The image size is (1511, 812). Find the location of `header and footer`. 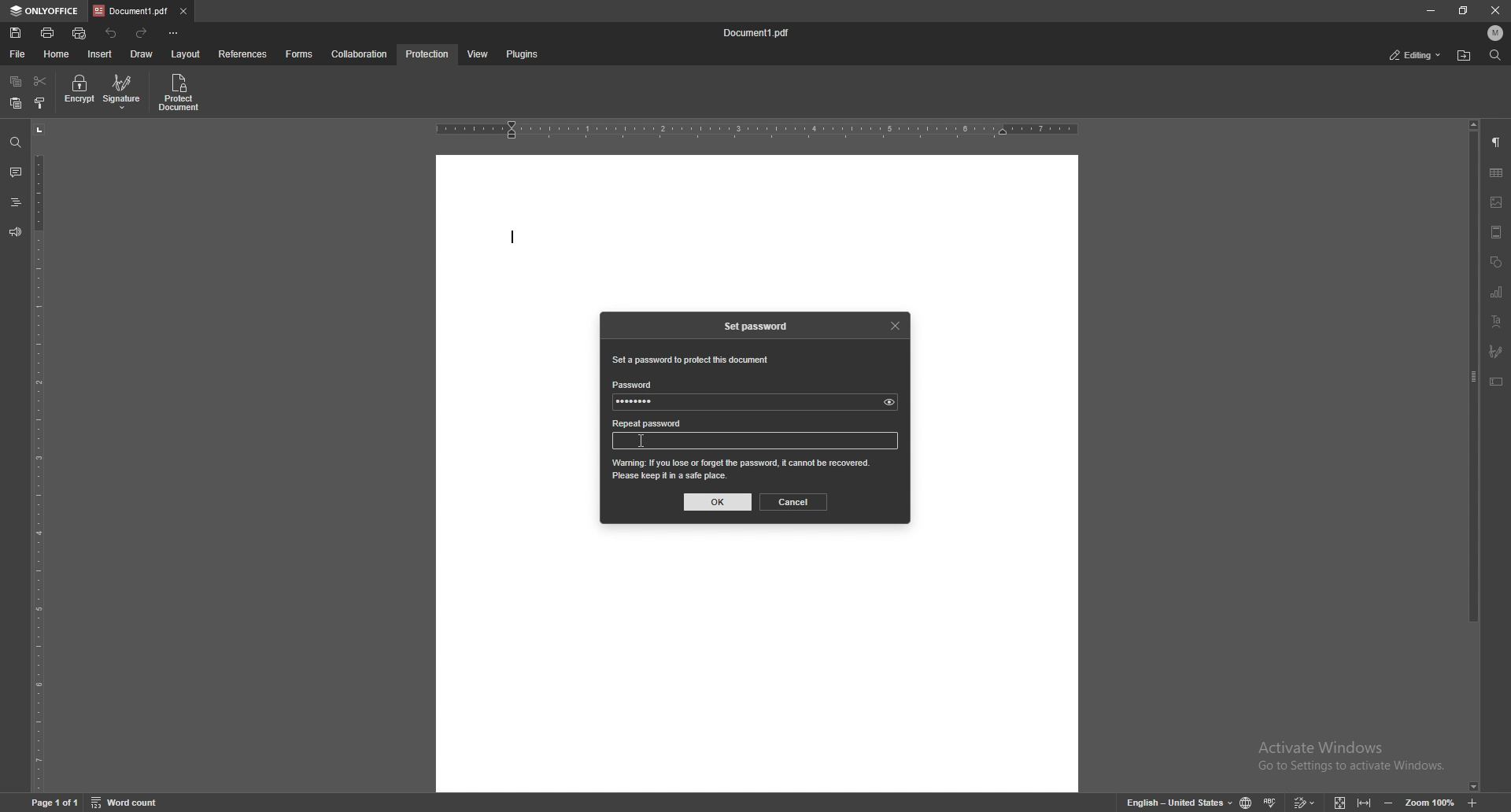

header and footer is located at coordinates (1496, 232).